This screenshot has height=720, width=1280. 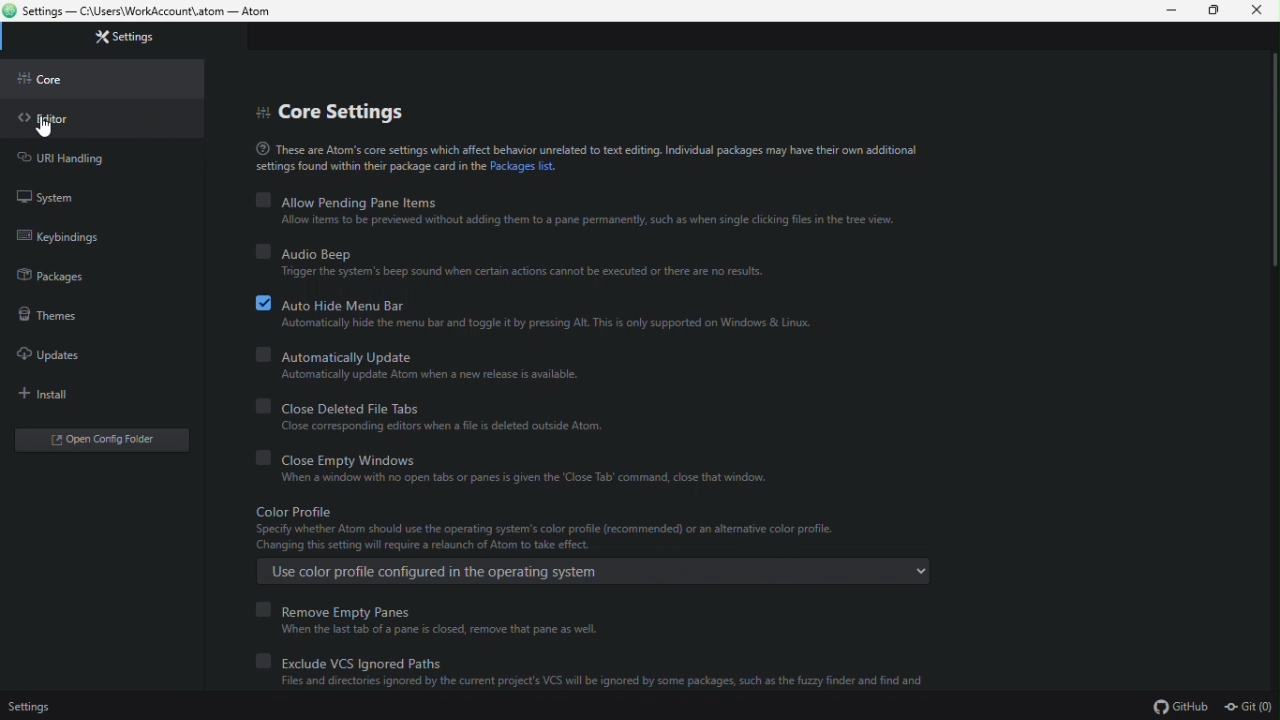 What do you see at coordinates (260, 353) in the screenshot?
I see `off` at bounding box center [260, 353].